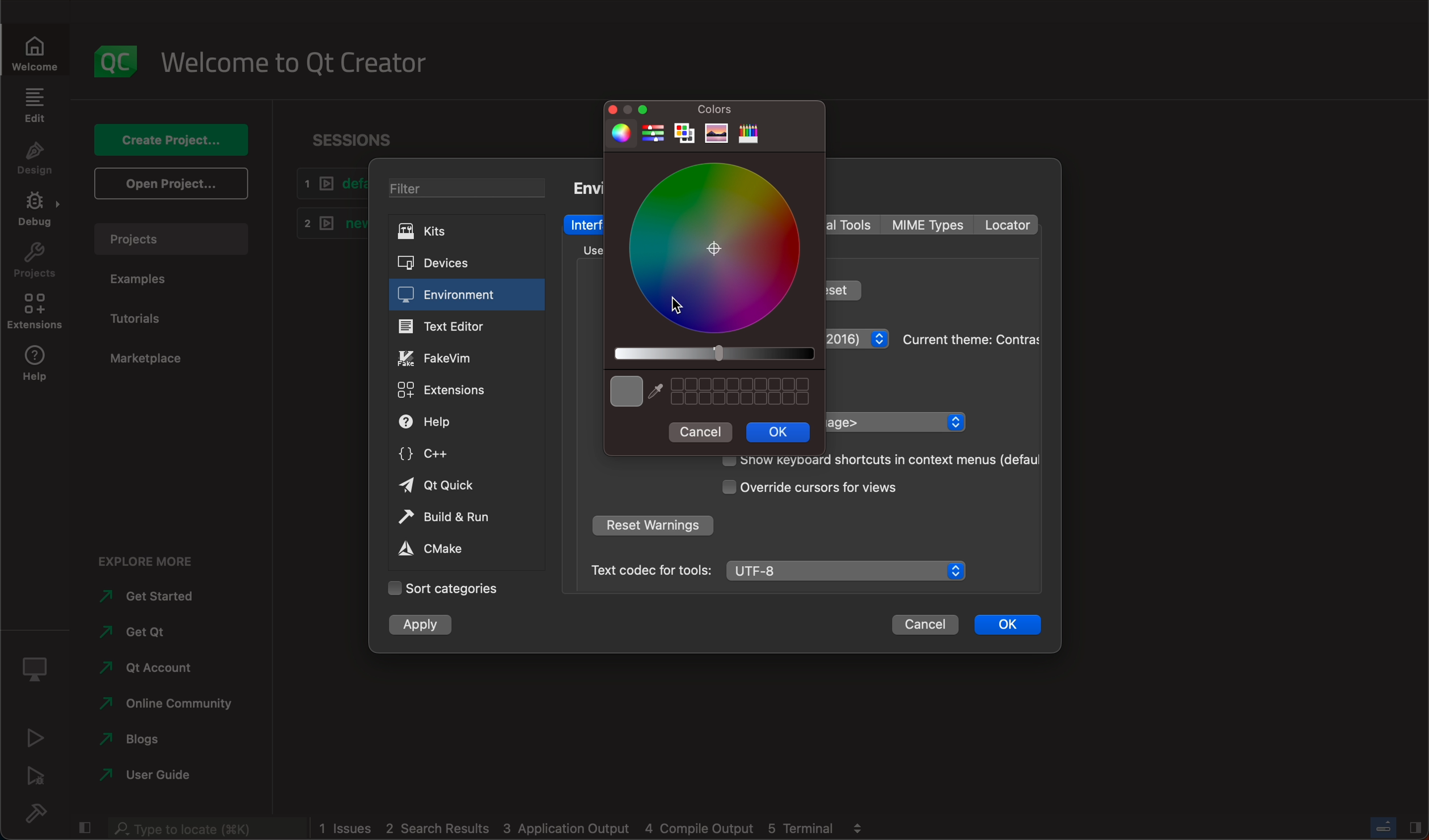  I want to click on color palette, so click(686, 135).